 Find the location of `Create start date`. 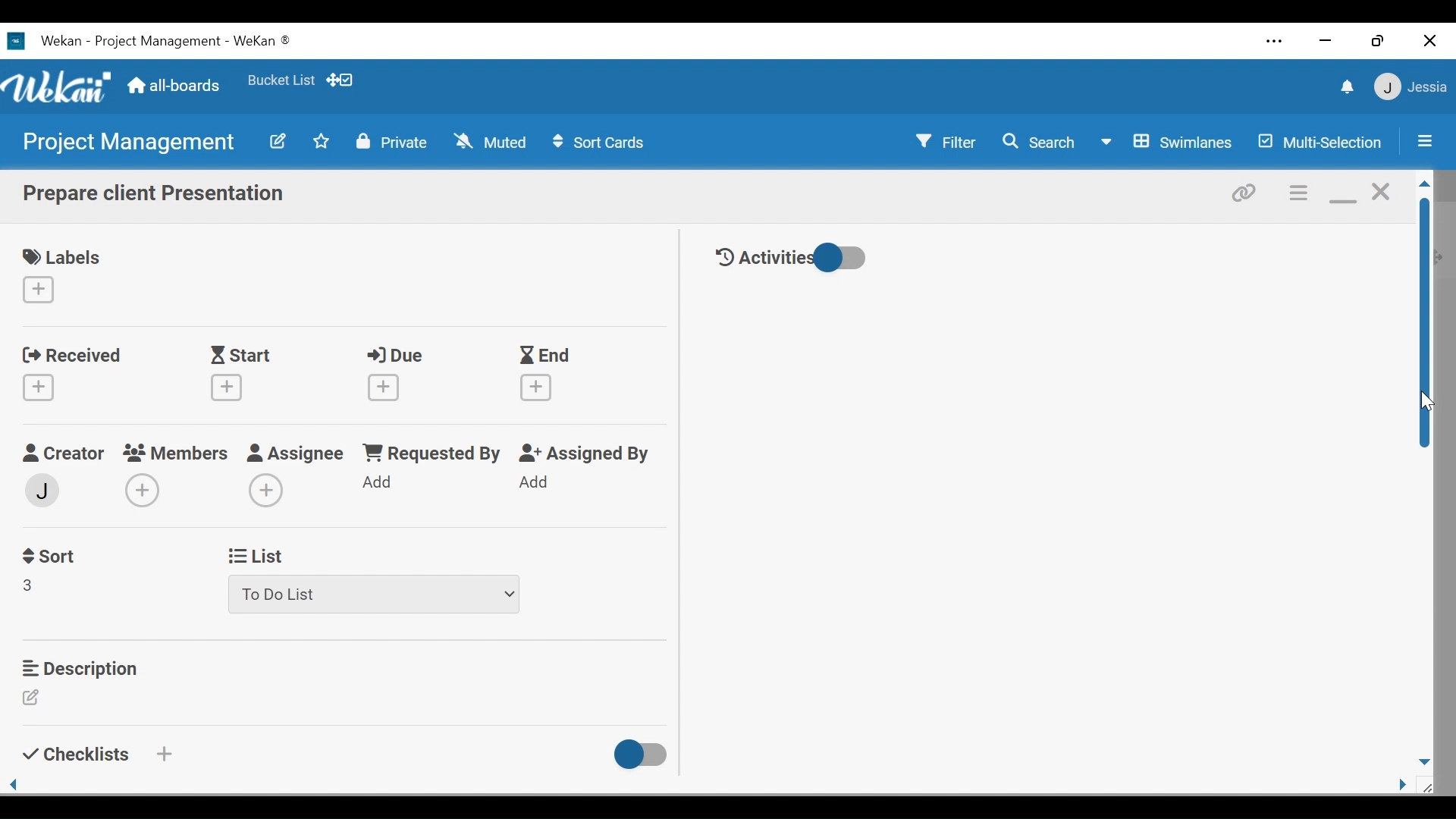

Create start date is located at coordinates (228, 387).